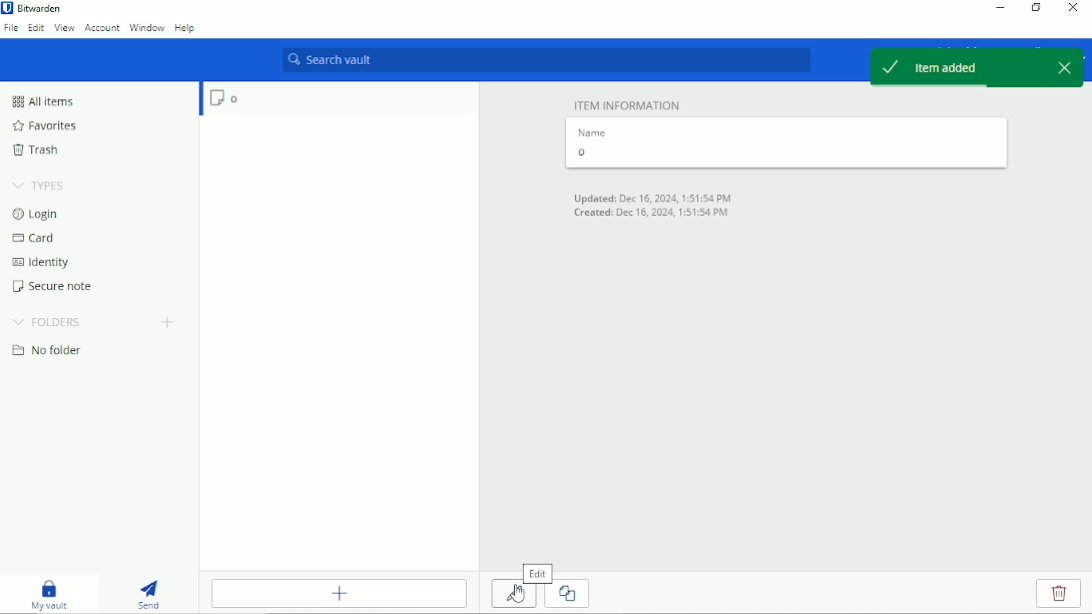 The width and height of the screenshot is (1092, 614). I want to click on Search vault, so click(544, 61).